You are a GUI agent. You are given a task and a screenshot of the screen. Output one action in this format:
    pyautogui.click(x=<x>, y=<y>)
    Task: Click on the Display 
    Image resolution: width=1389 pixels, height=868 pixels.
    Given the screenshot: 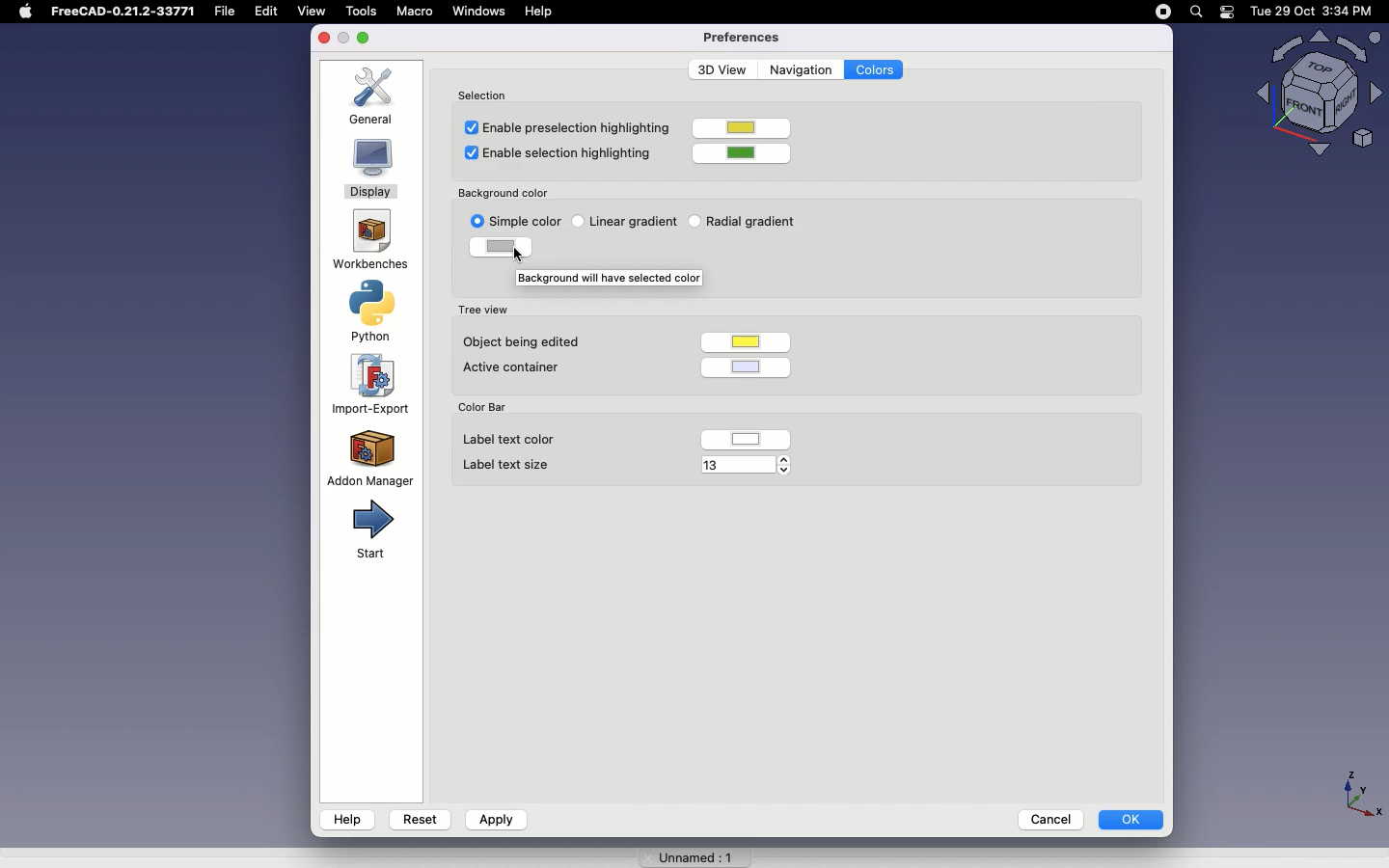 What is the action you would take?
    pyautogui.click(x=371, y=171)
    